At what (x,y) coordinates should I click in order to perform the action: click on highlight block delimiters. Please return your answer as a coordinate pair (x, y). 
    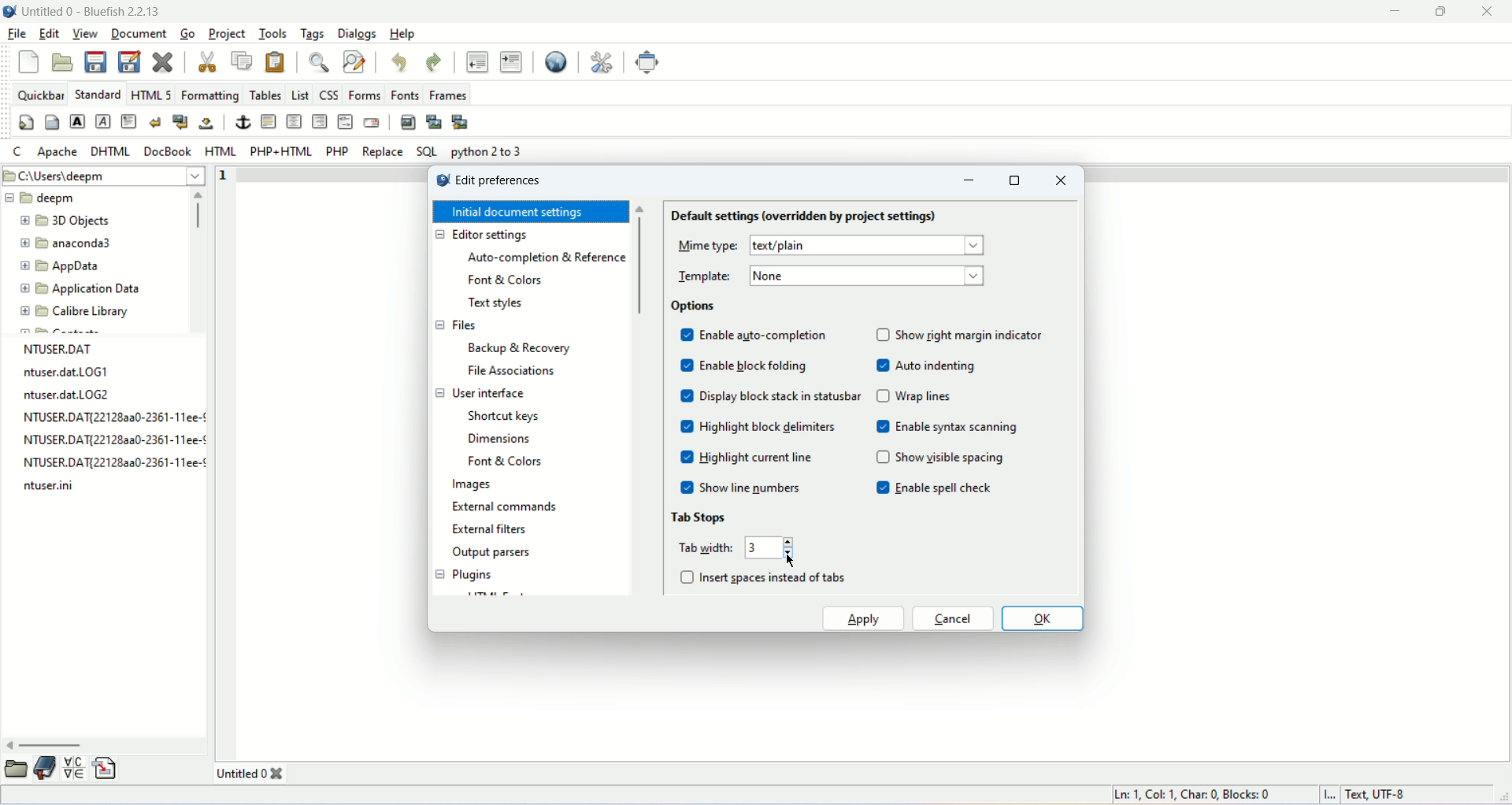
    Looking at the image, I should click on (769, 428).